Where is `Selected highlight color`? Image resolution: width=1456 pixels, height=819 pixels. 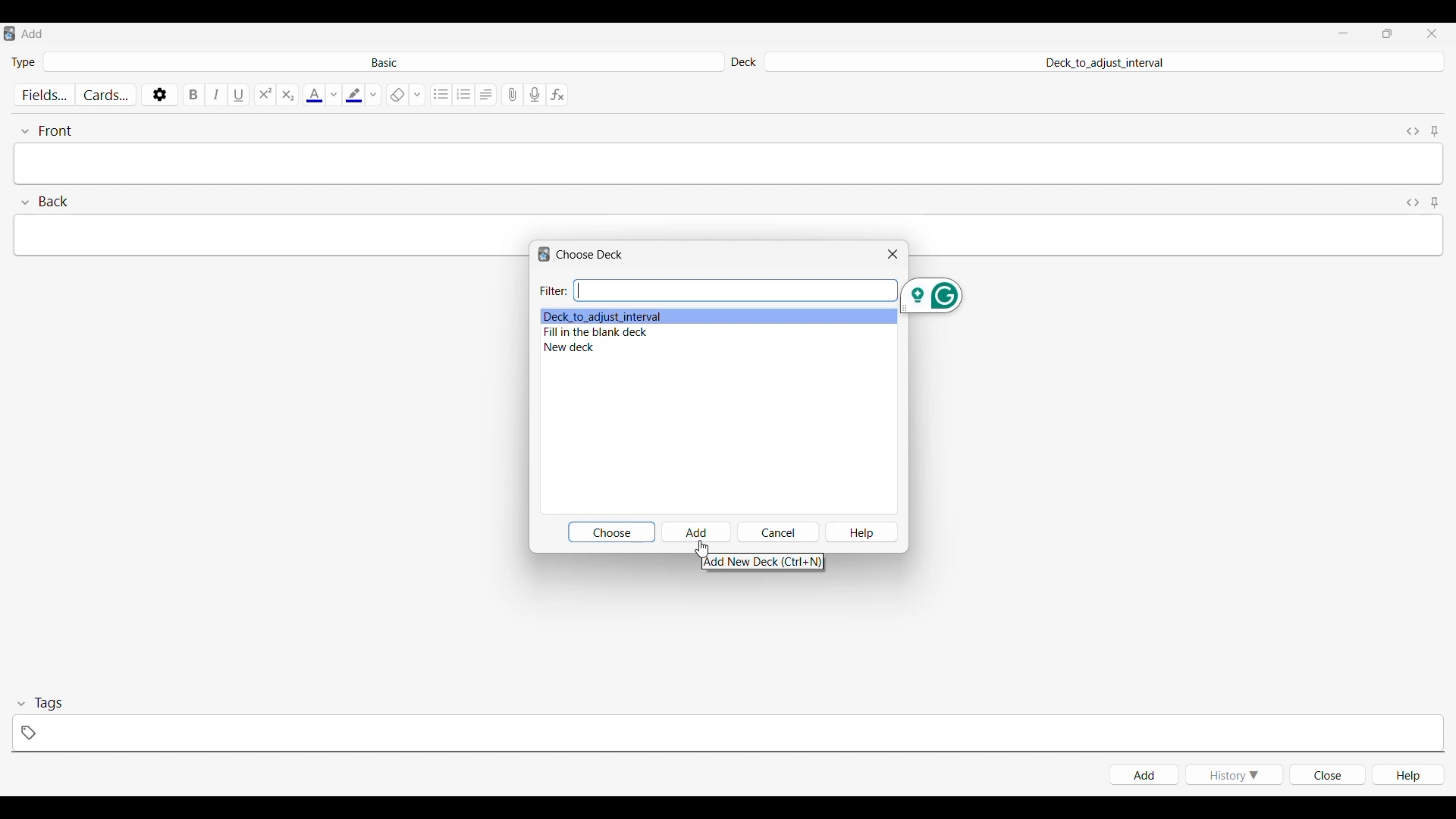 Selected highlight color is located at coordinates (353, 94).